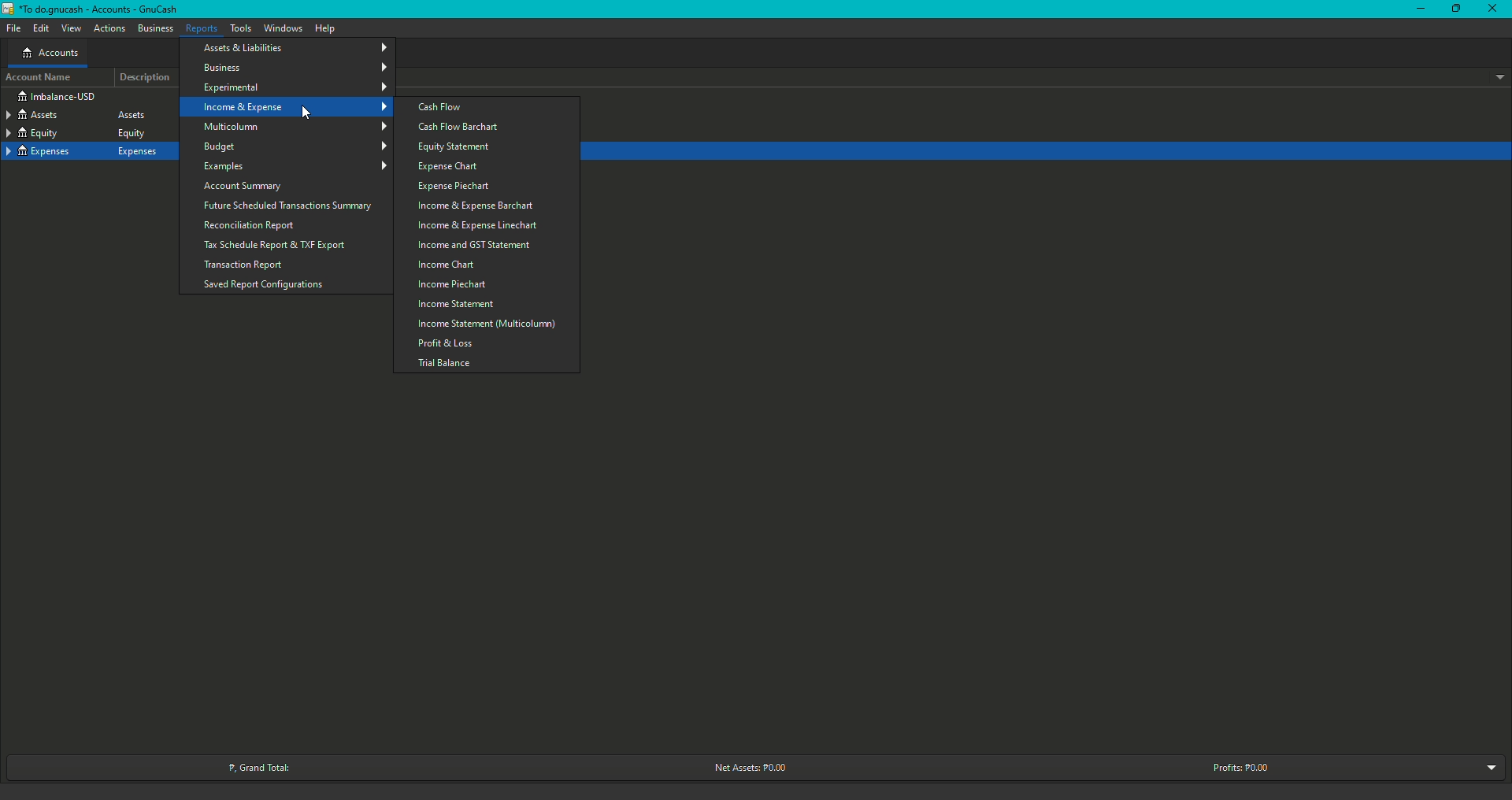 The width and height of the screenshot is (1512, 800). What do you see at coordinates (294, 205) in the screenshot?
I see `Future Scheduled Transactions` at bounding box center [294, 205].